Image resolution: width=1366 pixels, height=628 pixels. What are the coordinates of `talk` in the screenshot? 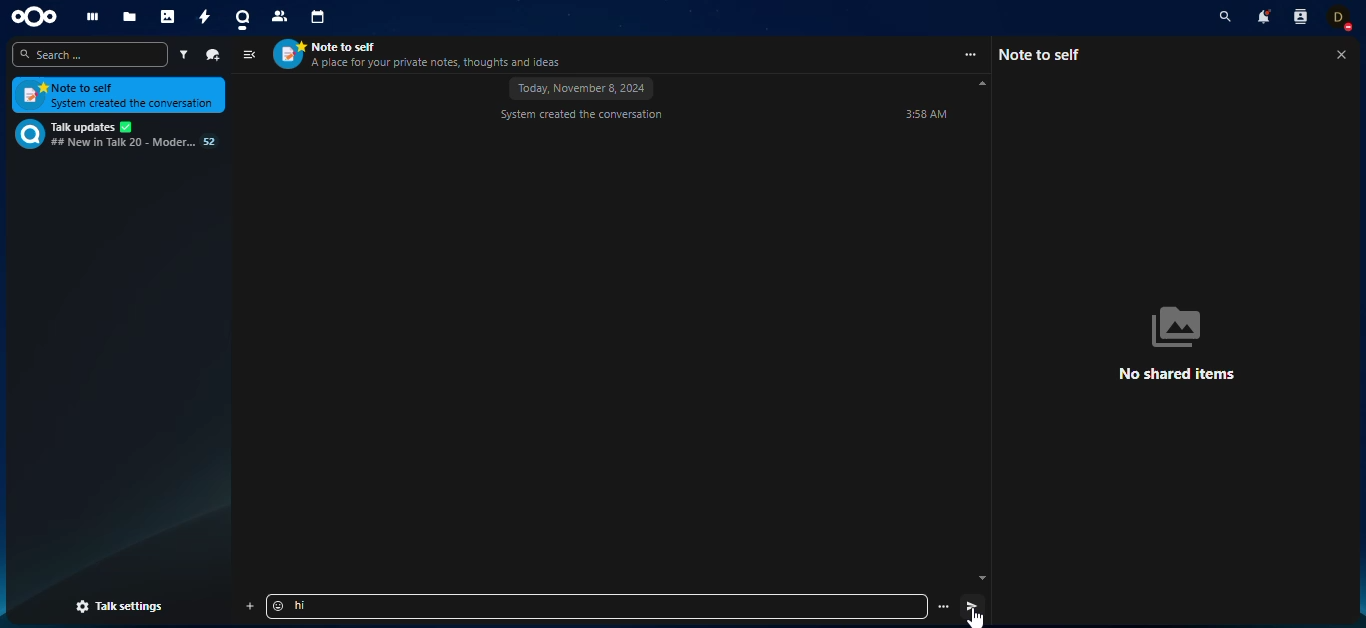 It's located at (241, 19).